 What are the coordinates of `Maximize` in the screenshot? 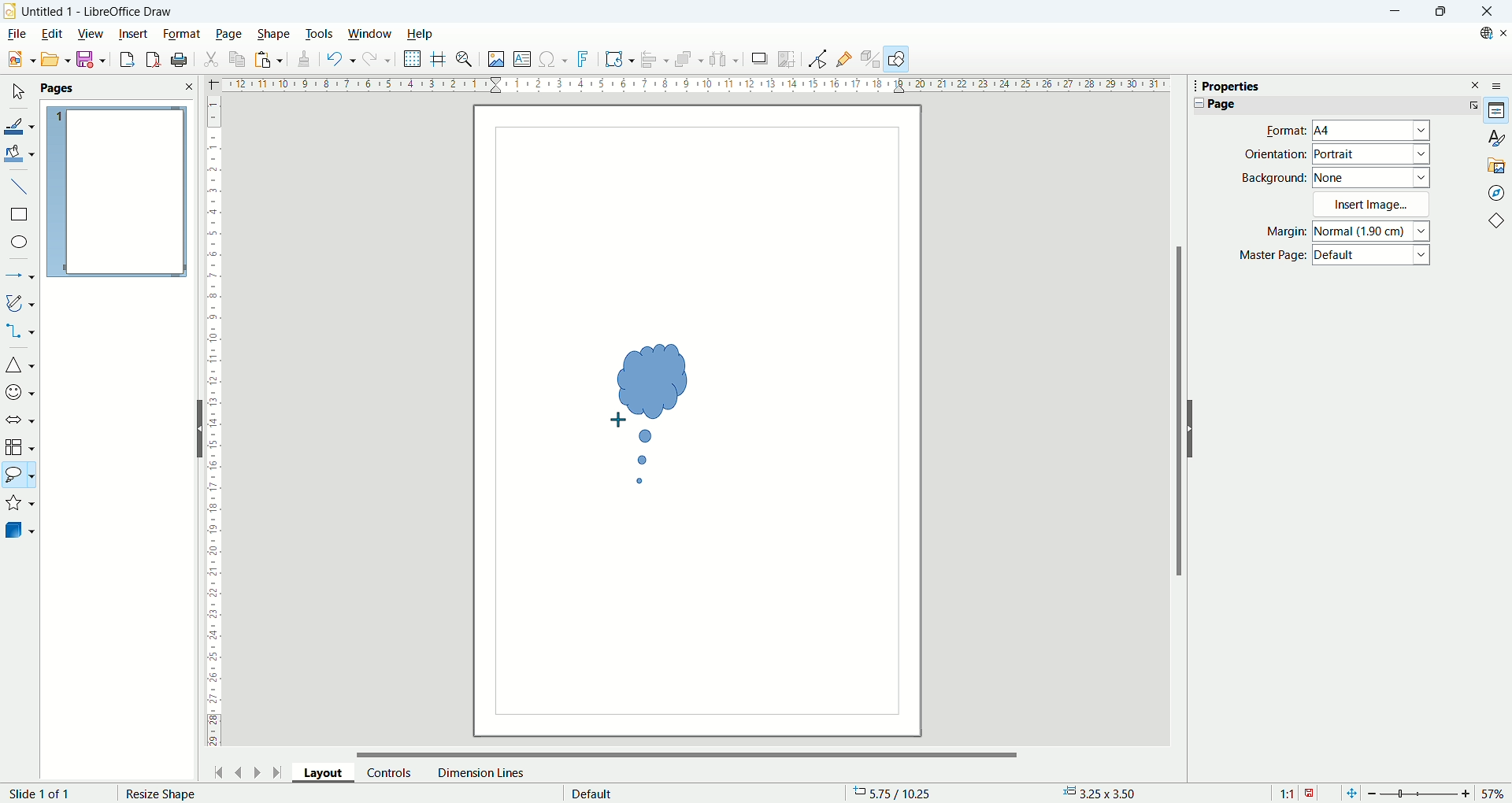 It's located at (1440, 12).